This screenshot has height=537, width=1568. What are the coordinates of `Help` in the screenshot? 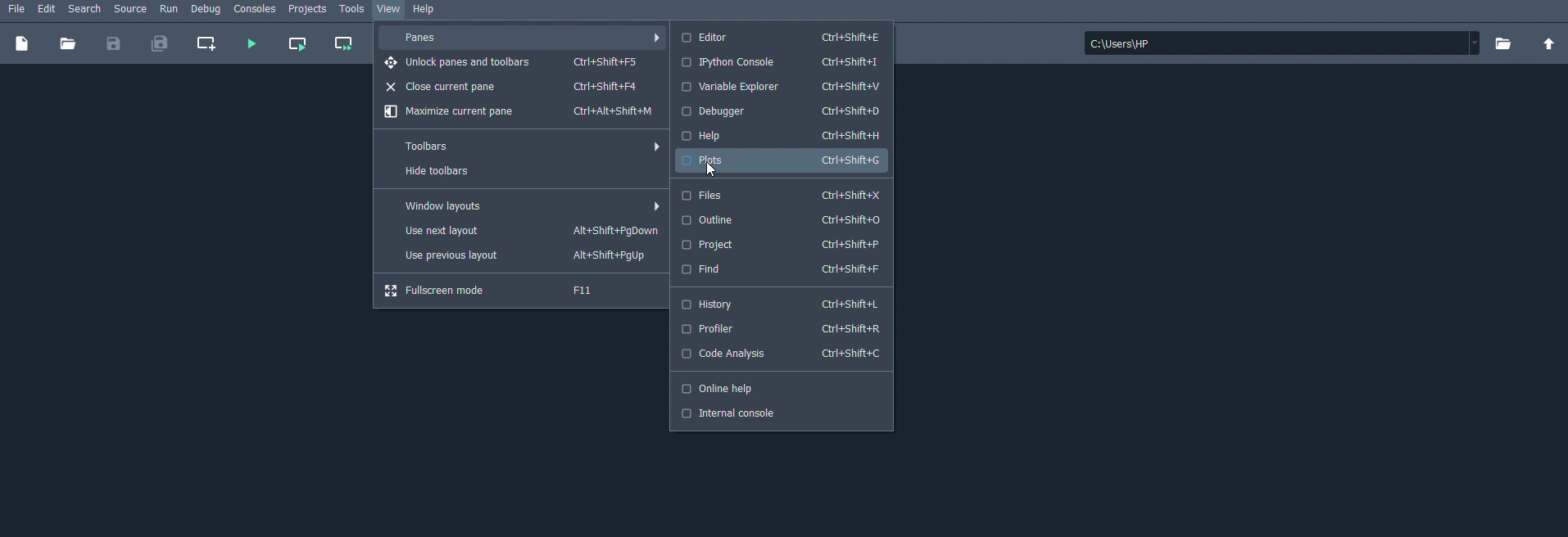 It's located at (431, 11).